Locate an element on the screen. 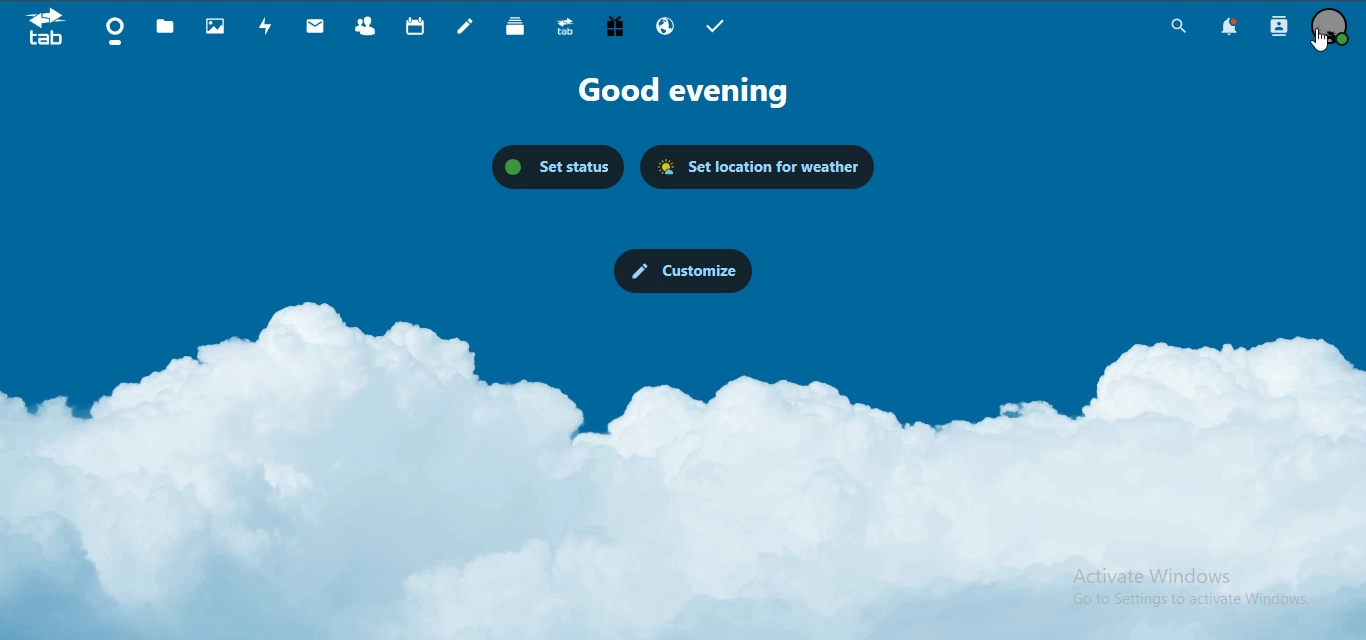 This screenshot has width=1366, height=640. email hosting is located at coordinates (668, 28).